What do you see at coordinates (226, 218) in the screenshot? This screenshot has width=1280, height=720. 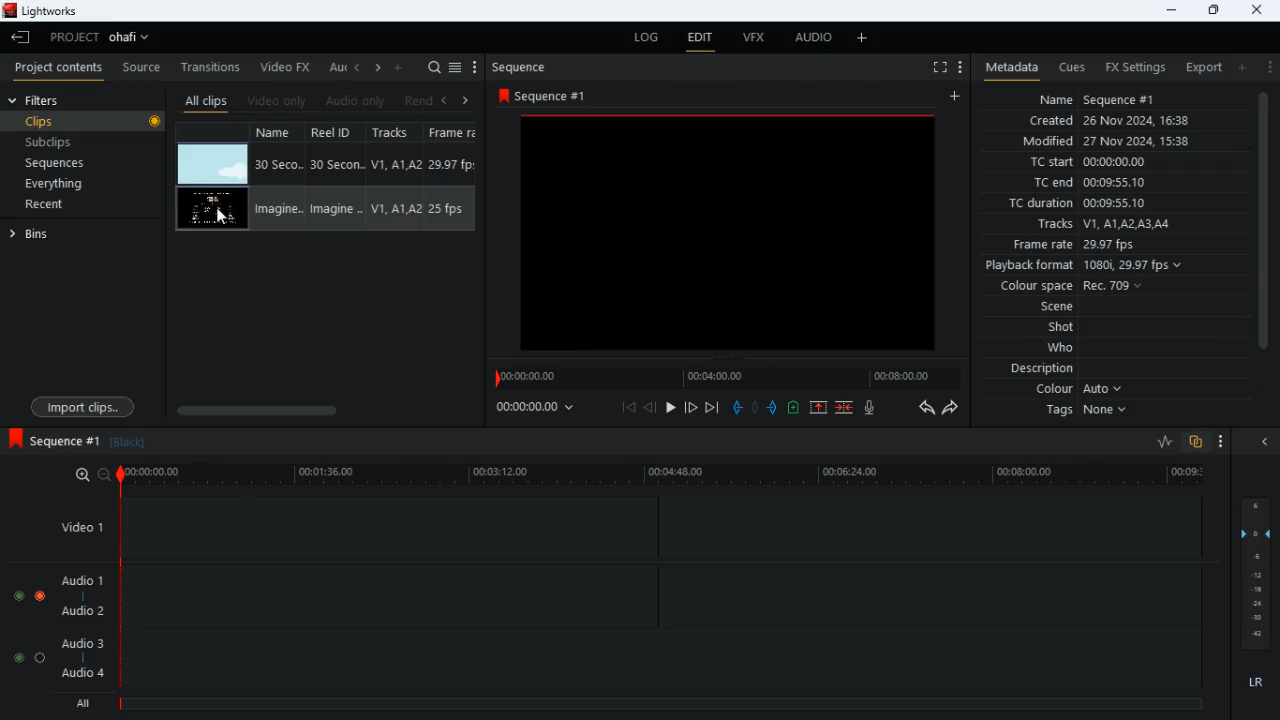 I see `cursor` at bounding box center [226, 218].